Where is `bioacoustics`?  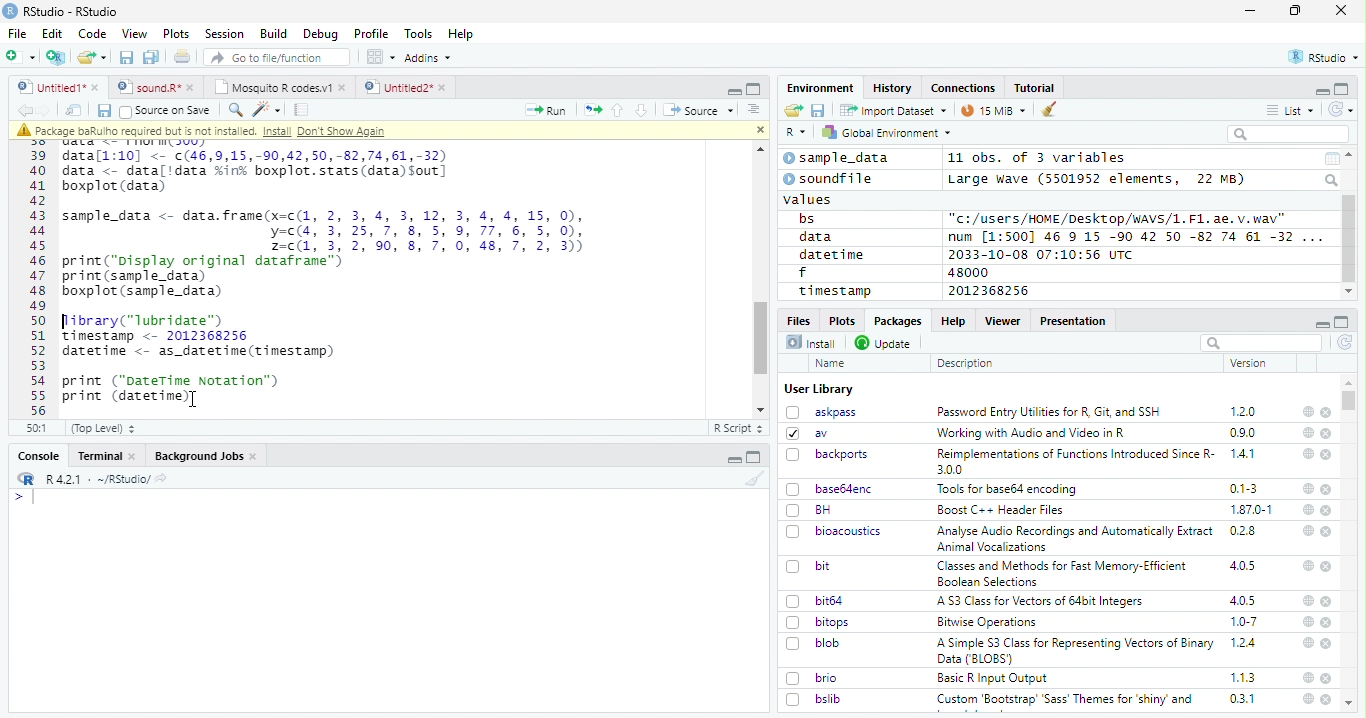
bioacoustics is located at coordinates (834, 531).